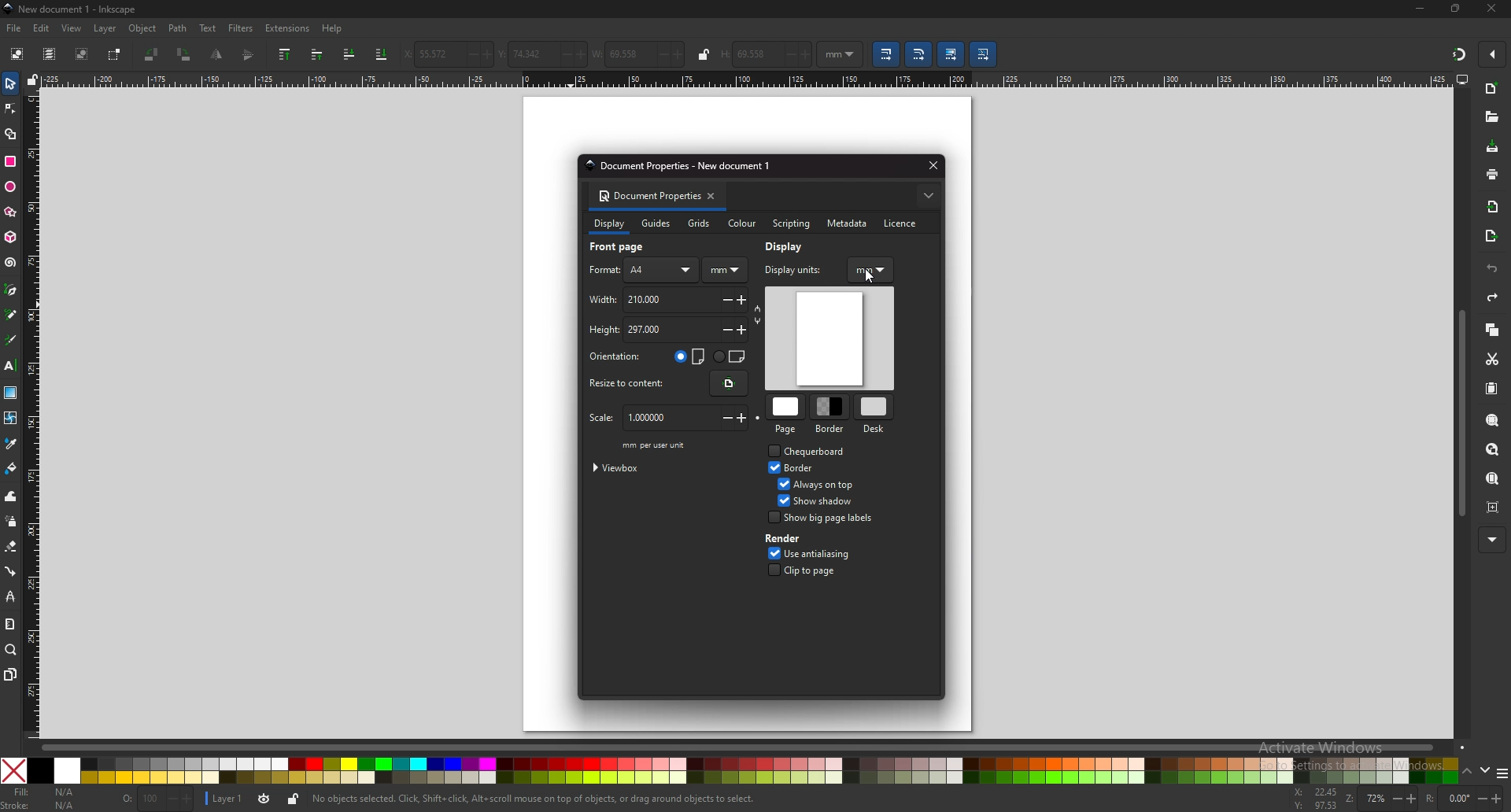  What do you see at coordinates (9, 238) in the screenshot?
I see `3d box` at bounding box center [9, 238].